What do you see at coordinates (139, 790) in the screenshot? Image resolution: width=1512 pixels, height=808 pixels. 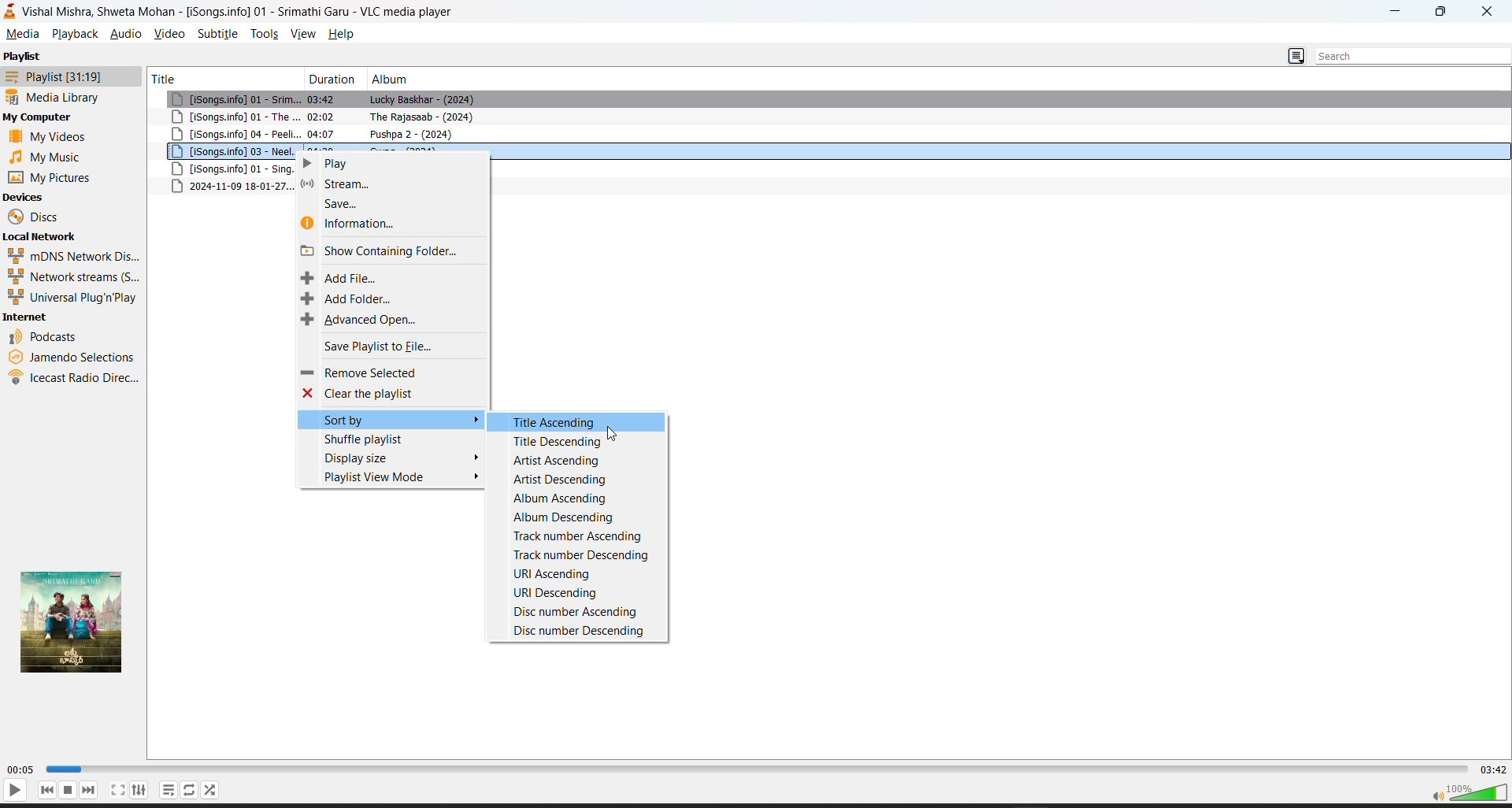 I see `settings` at bounding box center [139, 790].